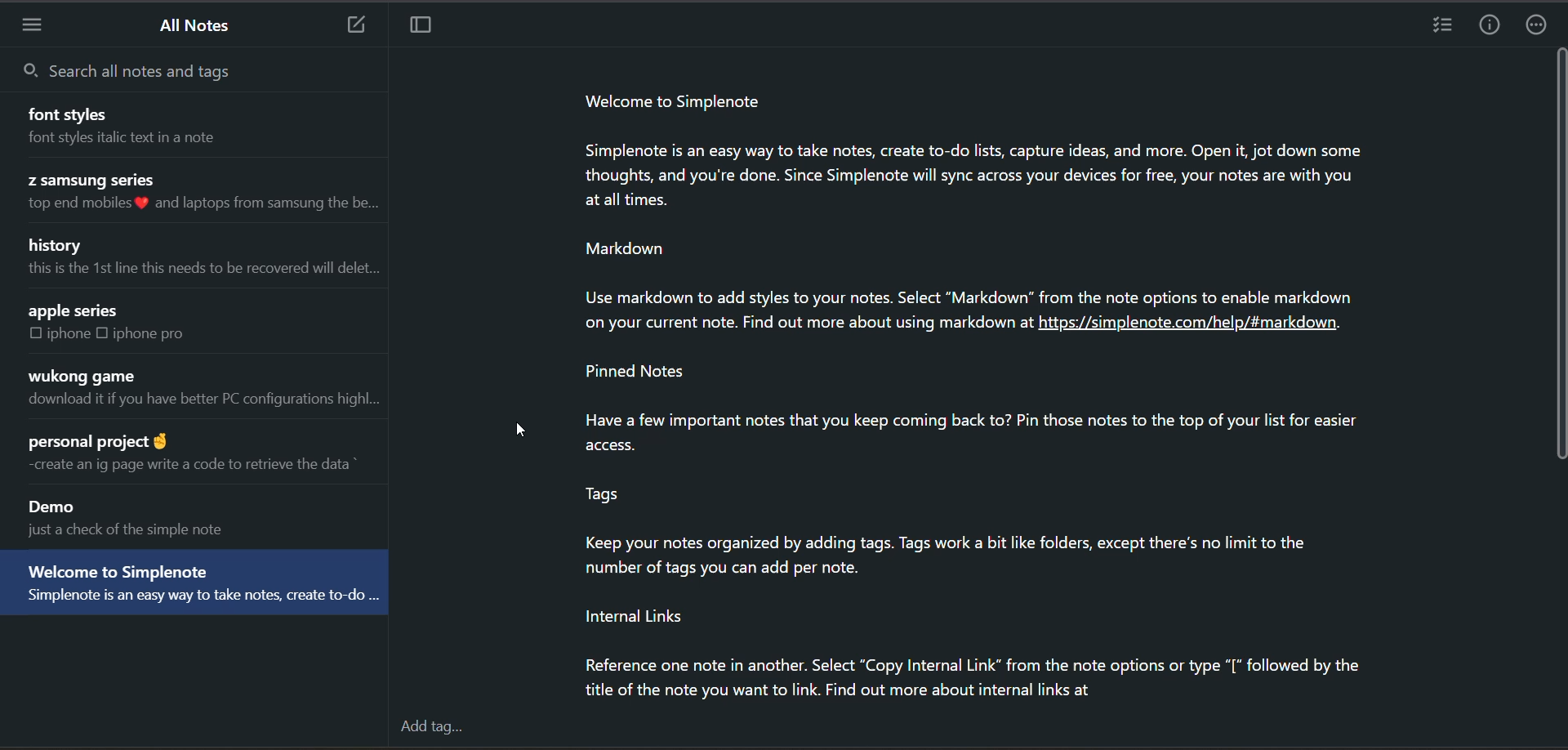  Describe the element at coordinates (1492, 25) in the screenshot. I see `info` at that location.